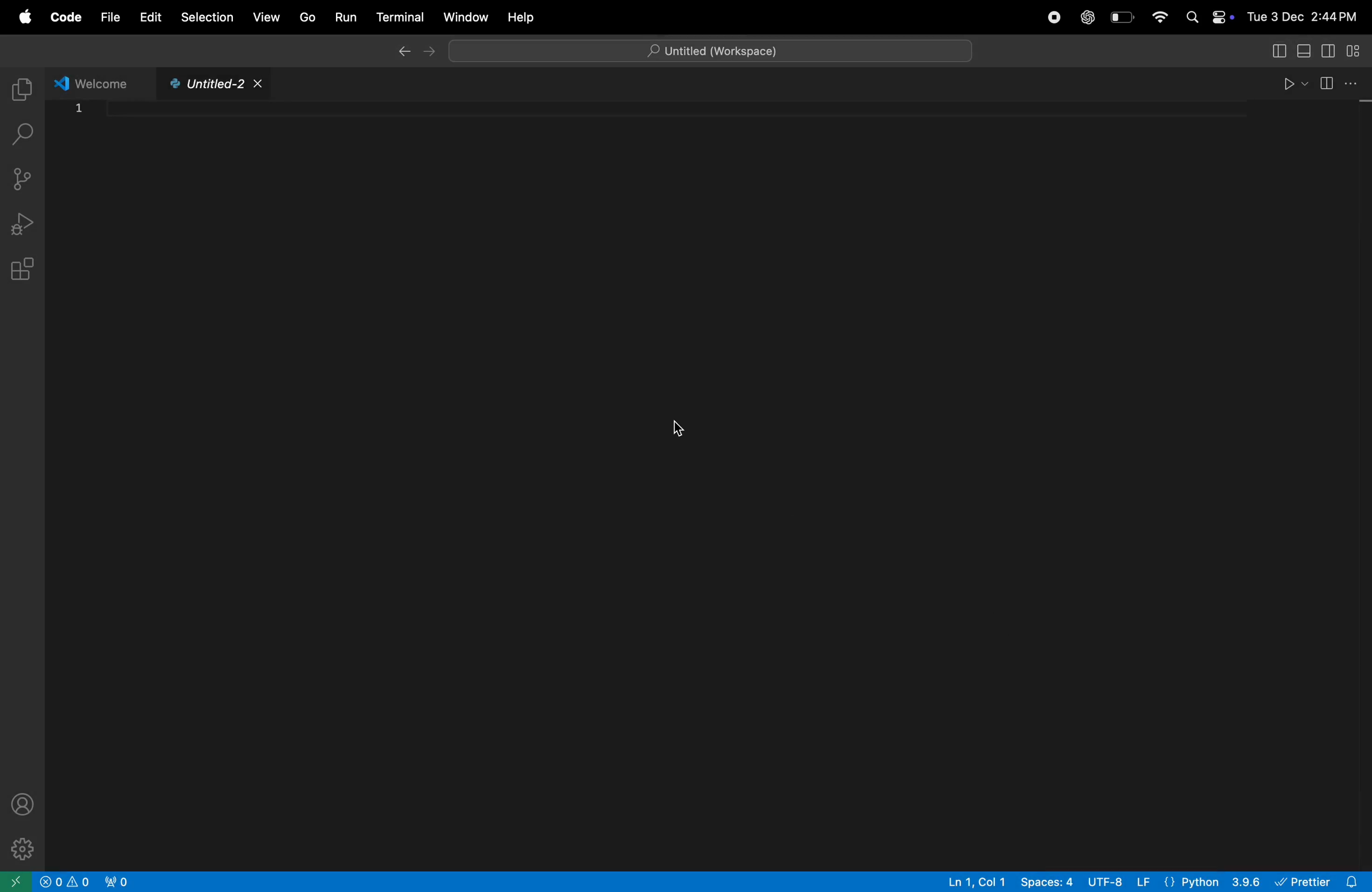 The width and height of the screenshot is (1372, 892). Describe the element at coordinates (1048, 882) in the screenshot. I see `space 4` at that location.